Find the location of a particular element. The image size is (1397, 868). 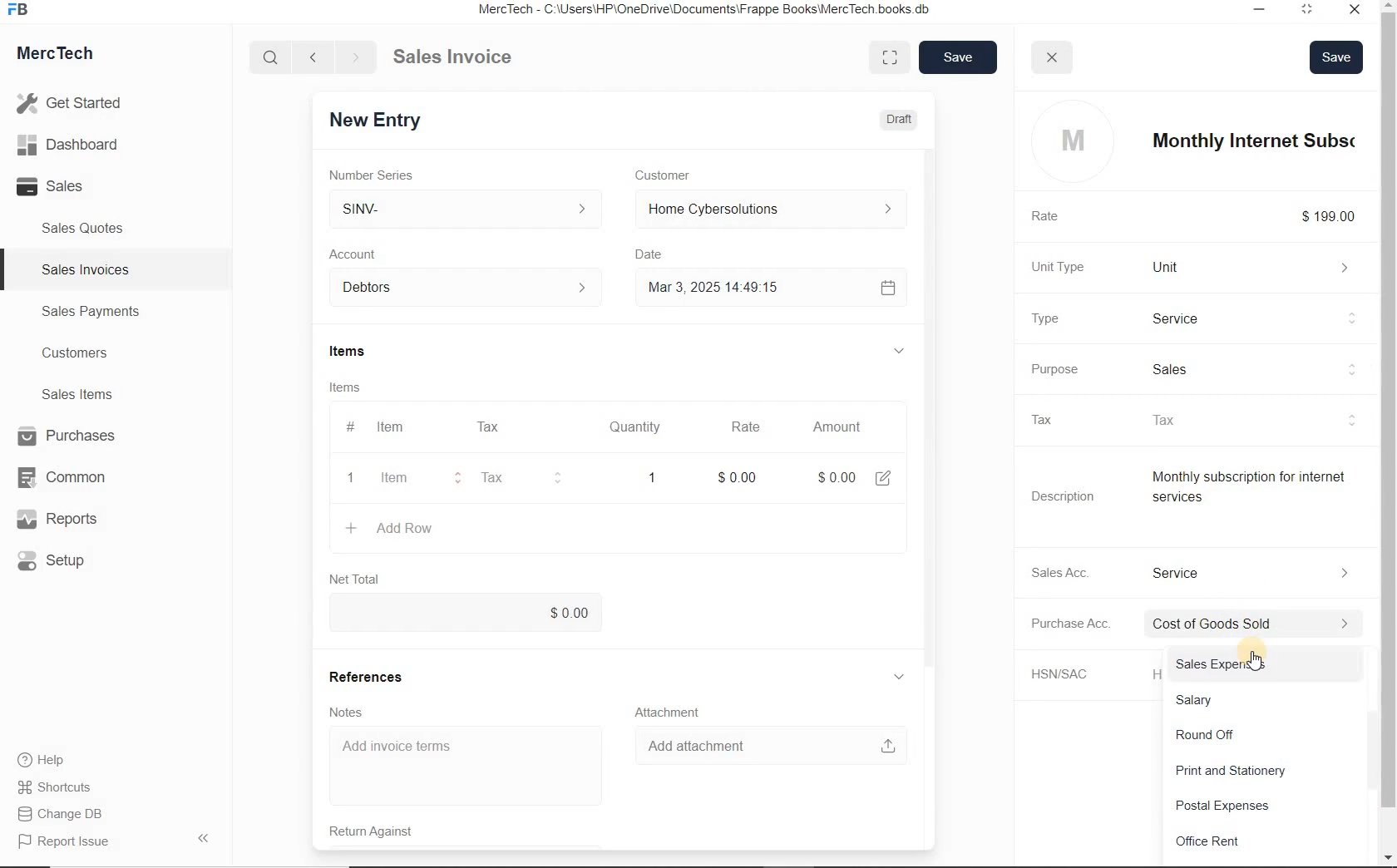

Sales Items is located at coordinates (88, 394).